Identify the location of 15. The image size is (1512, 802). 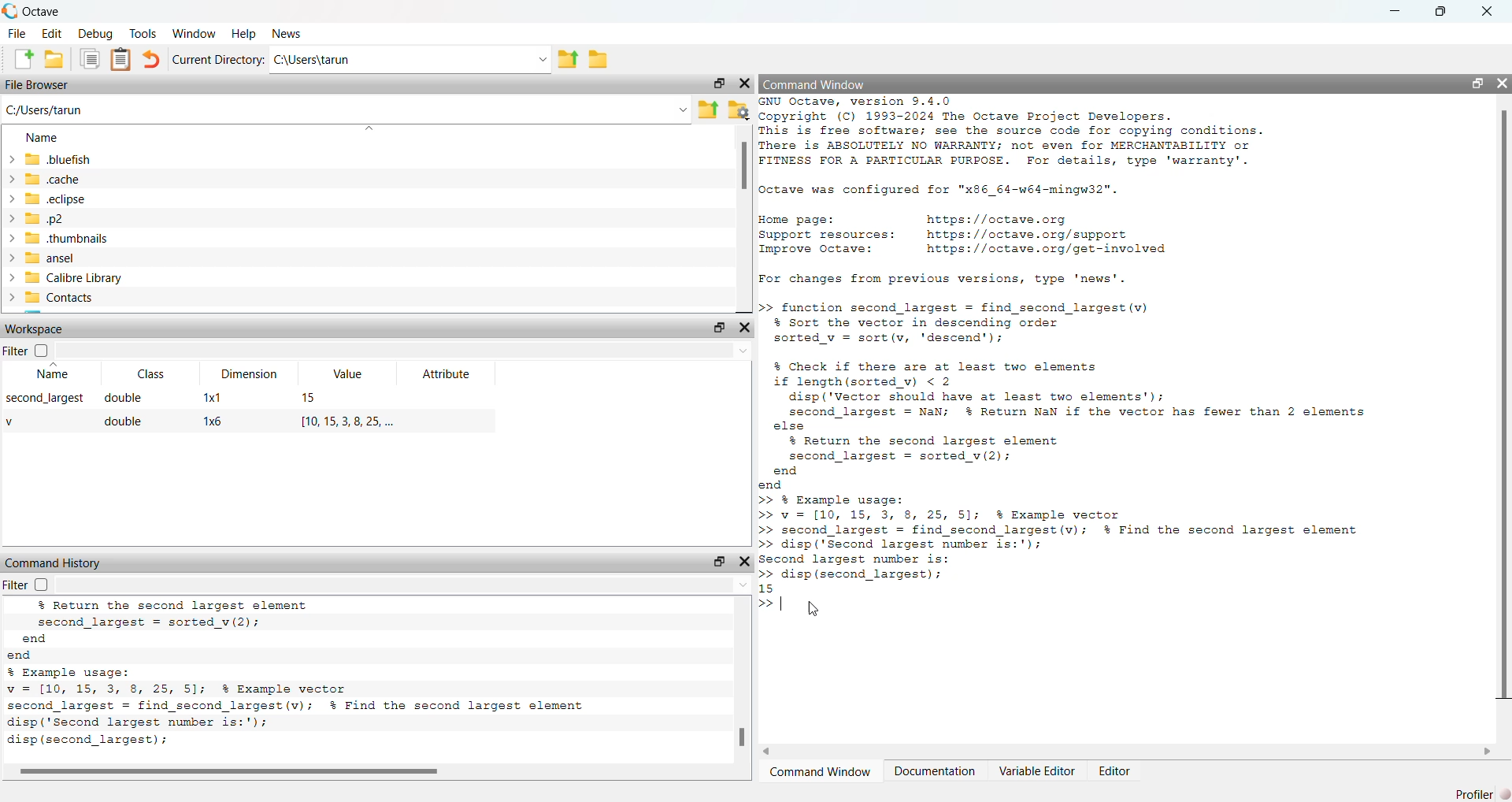
(310, 398).